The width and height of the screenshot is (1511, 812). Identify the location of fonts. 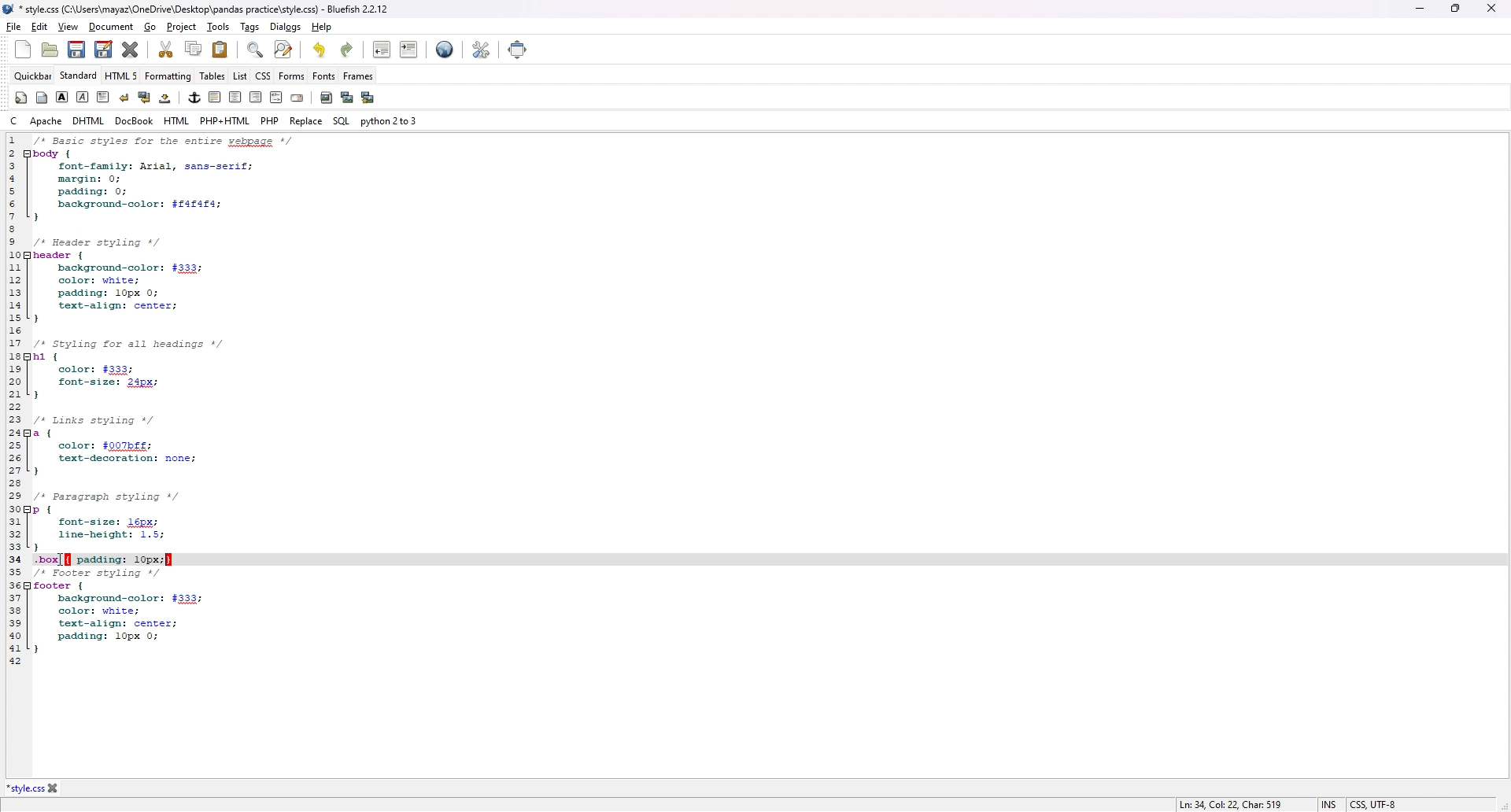
(323, 76).